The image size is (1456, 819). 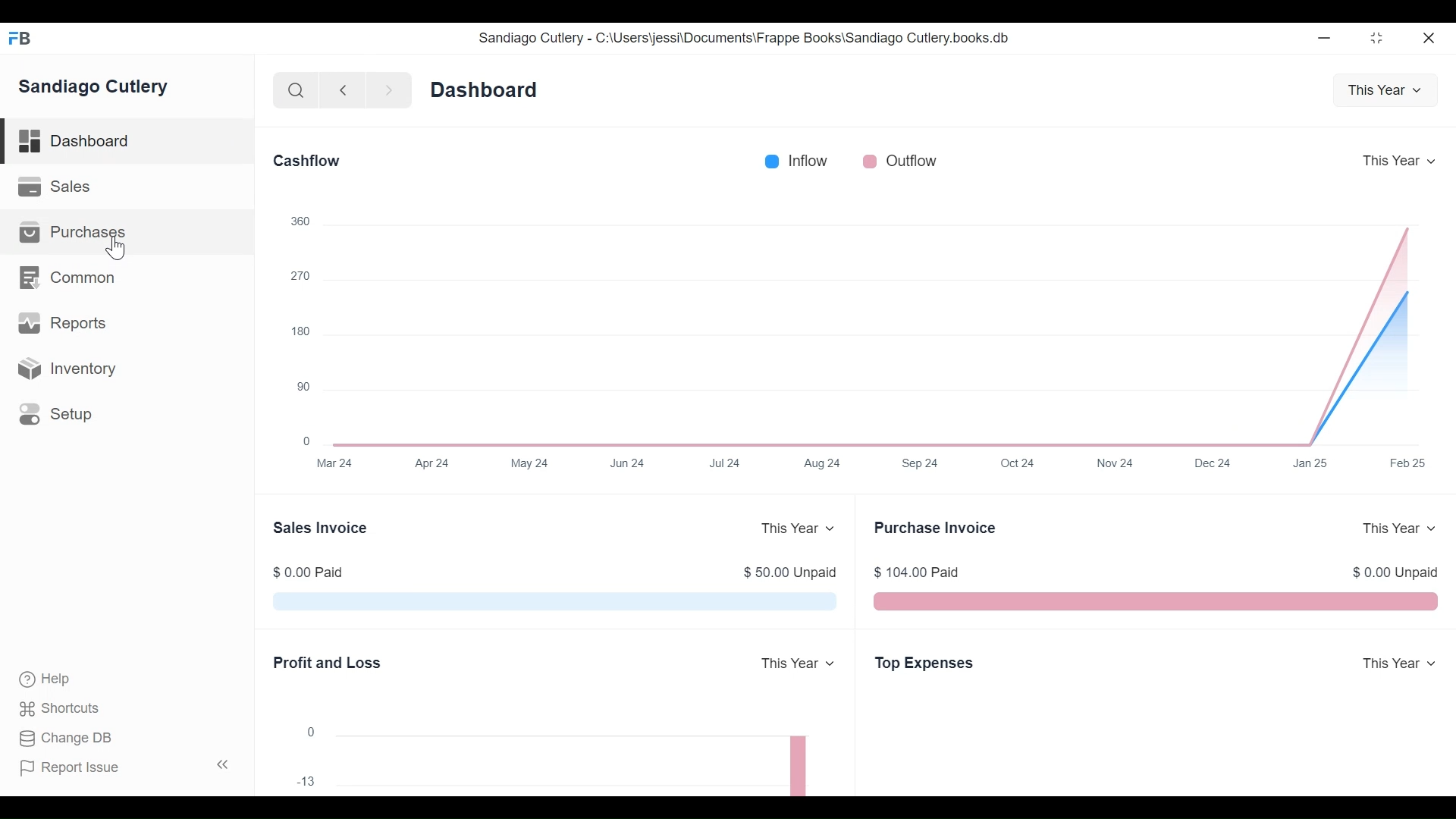 I want to click on Purchases, so click(x=75, y=231).